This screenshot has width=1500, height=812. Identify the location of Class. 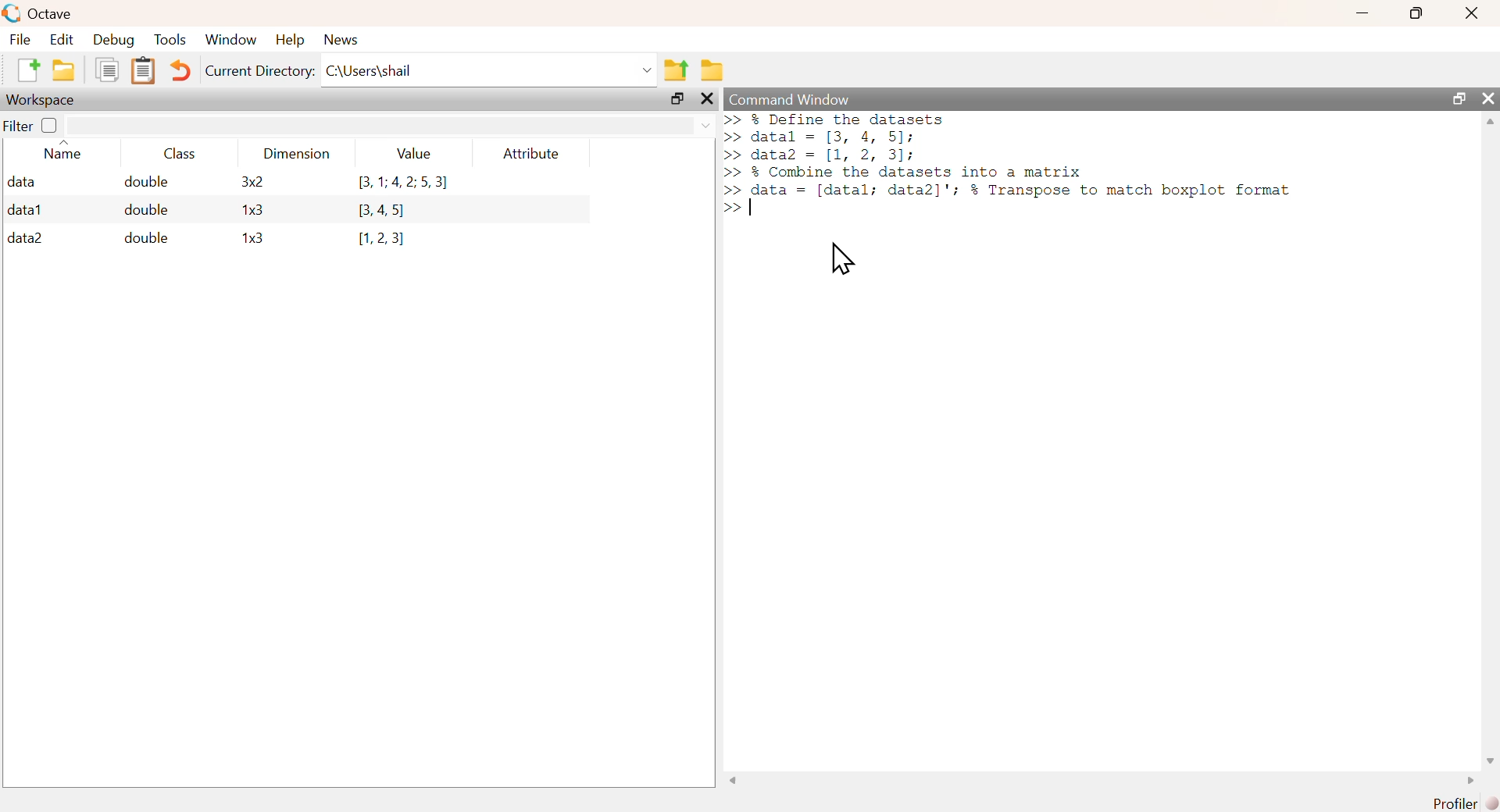
(184, 154).